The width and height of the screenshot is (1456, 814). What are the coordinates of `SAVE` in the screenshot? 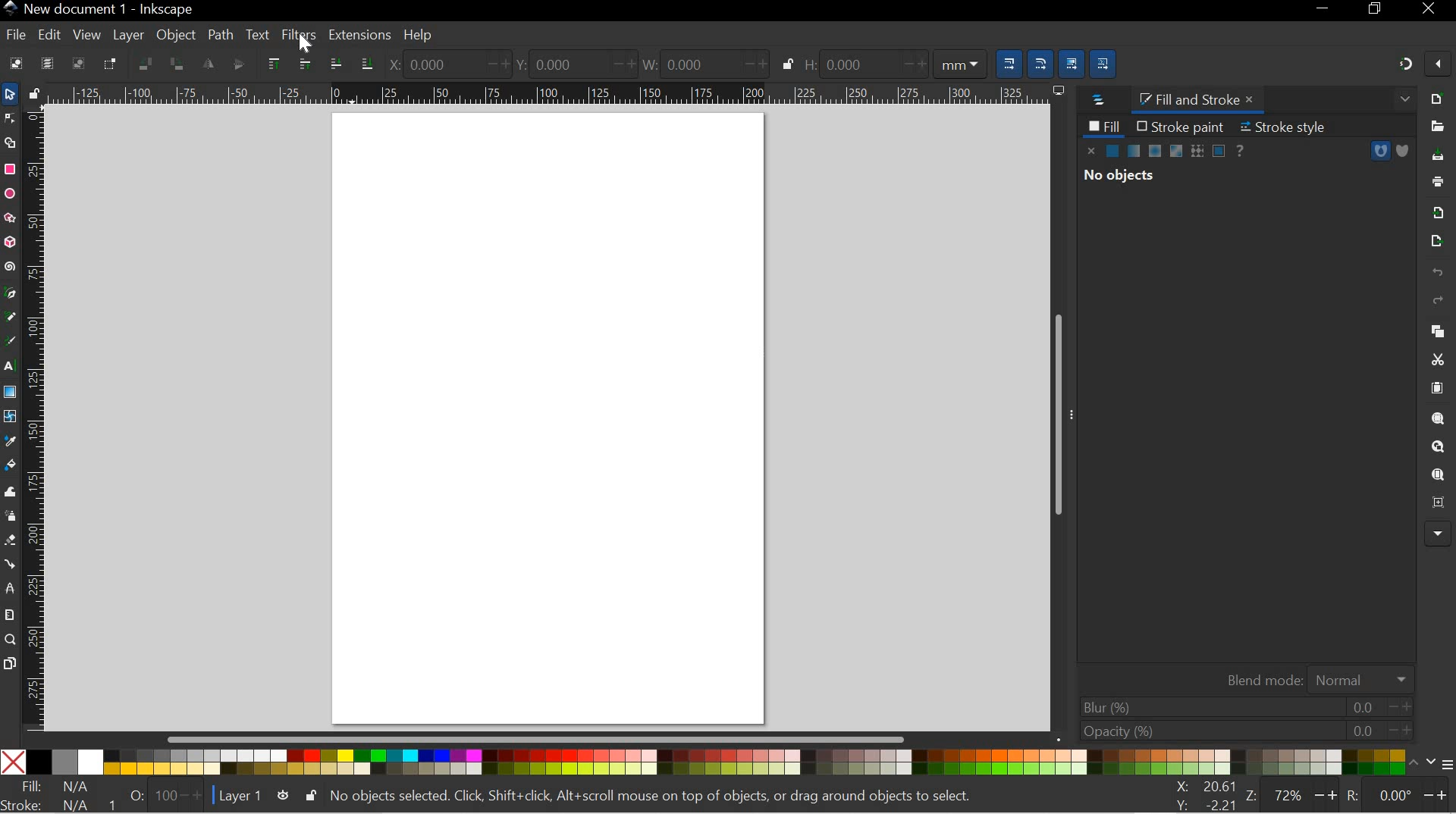 It's located at (1439, 156).